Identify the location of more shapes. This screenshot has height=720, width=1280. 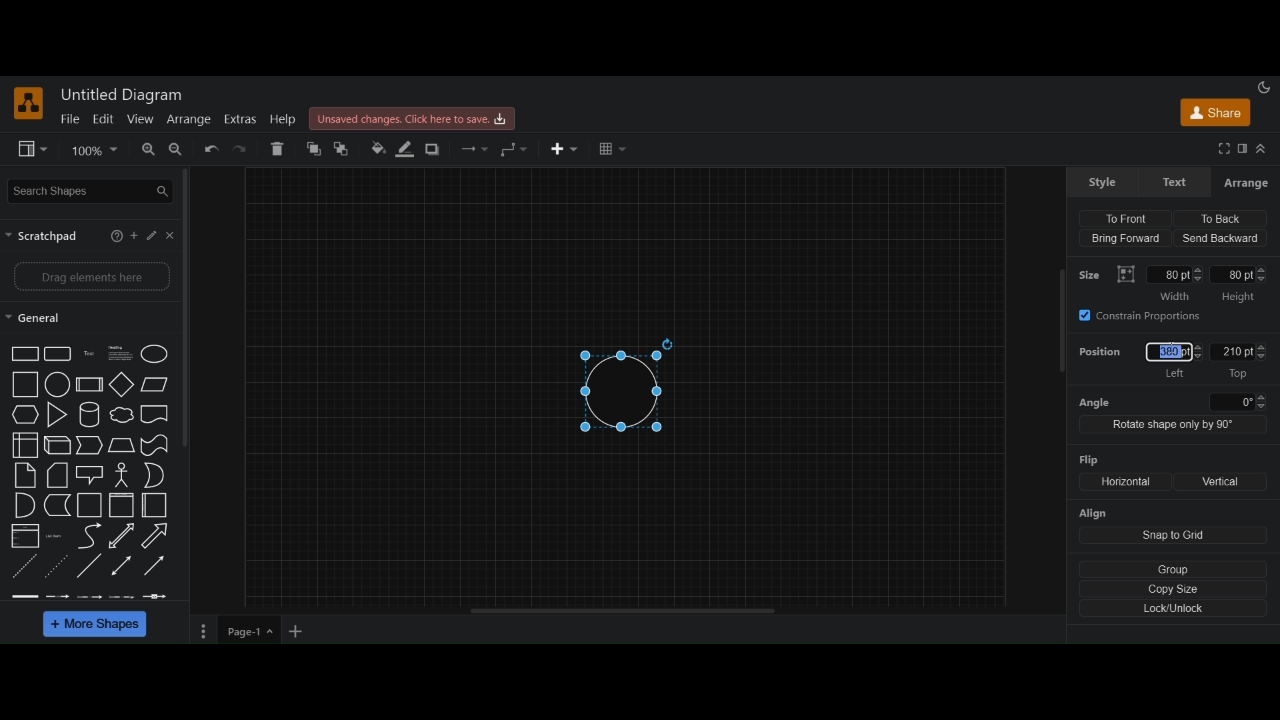
(97, 626).